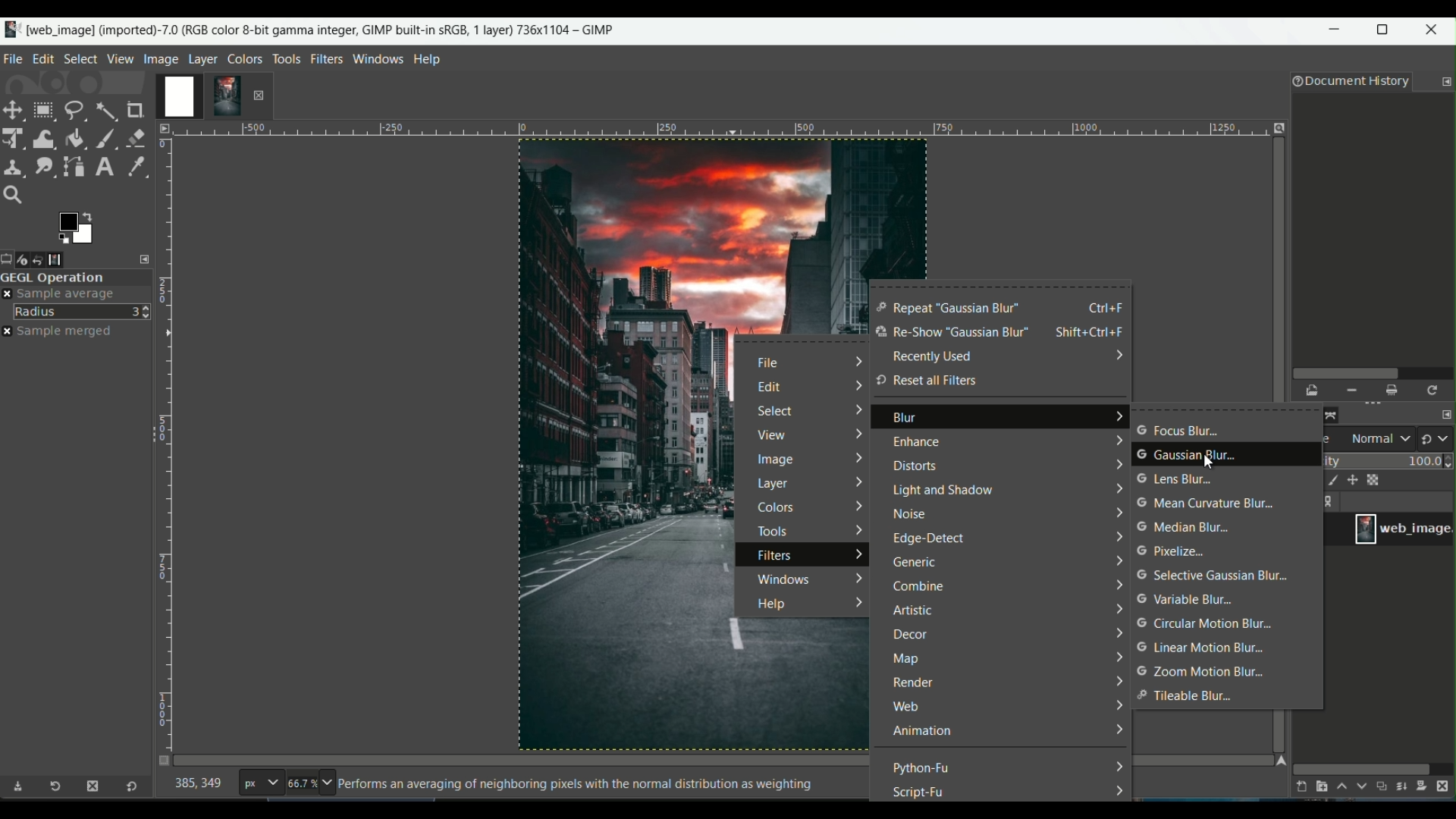  I want to click on scroll bar, so click(1370, 372).